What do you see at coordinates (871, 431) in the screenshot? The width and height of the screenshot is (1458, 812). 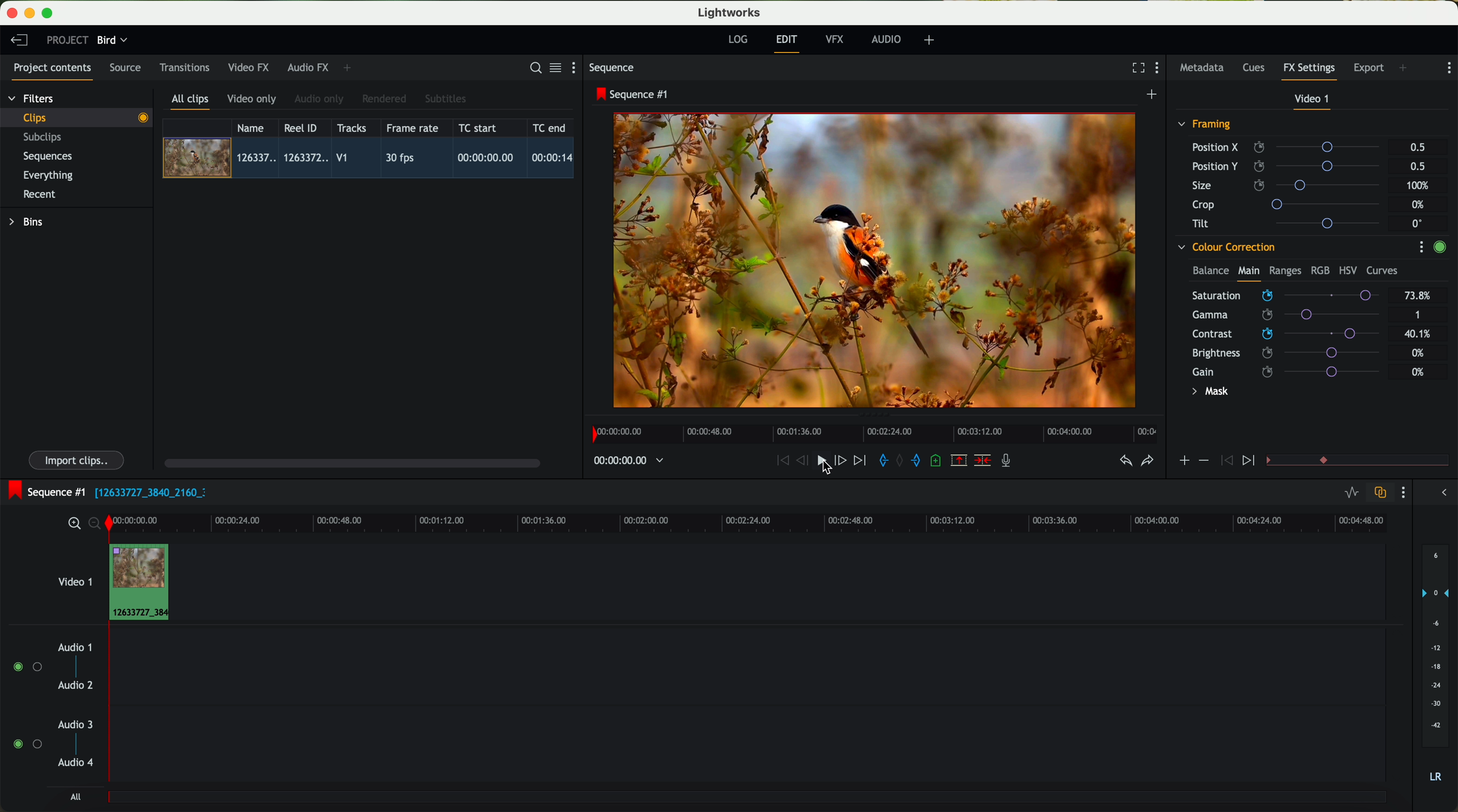 I see `timeline` at bounding box center [871, 431].